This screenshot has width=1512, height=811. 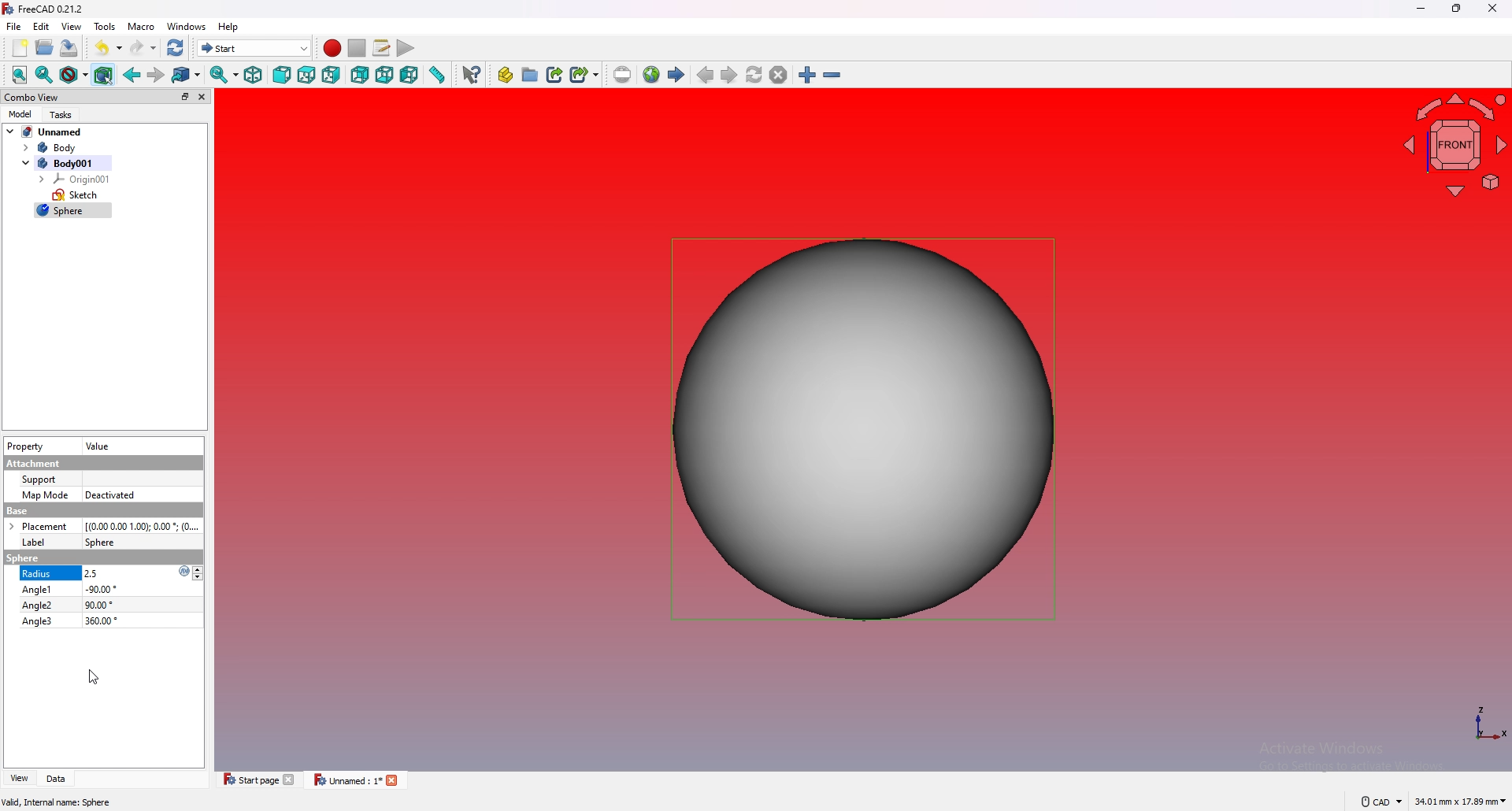 What do you see at coordinates (254, 48) in the screenshot?
I see `choose workbench` at bounding box center [254, 48].